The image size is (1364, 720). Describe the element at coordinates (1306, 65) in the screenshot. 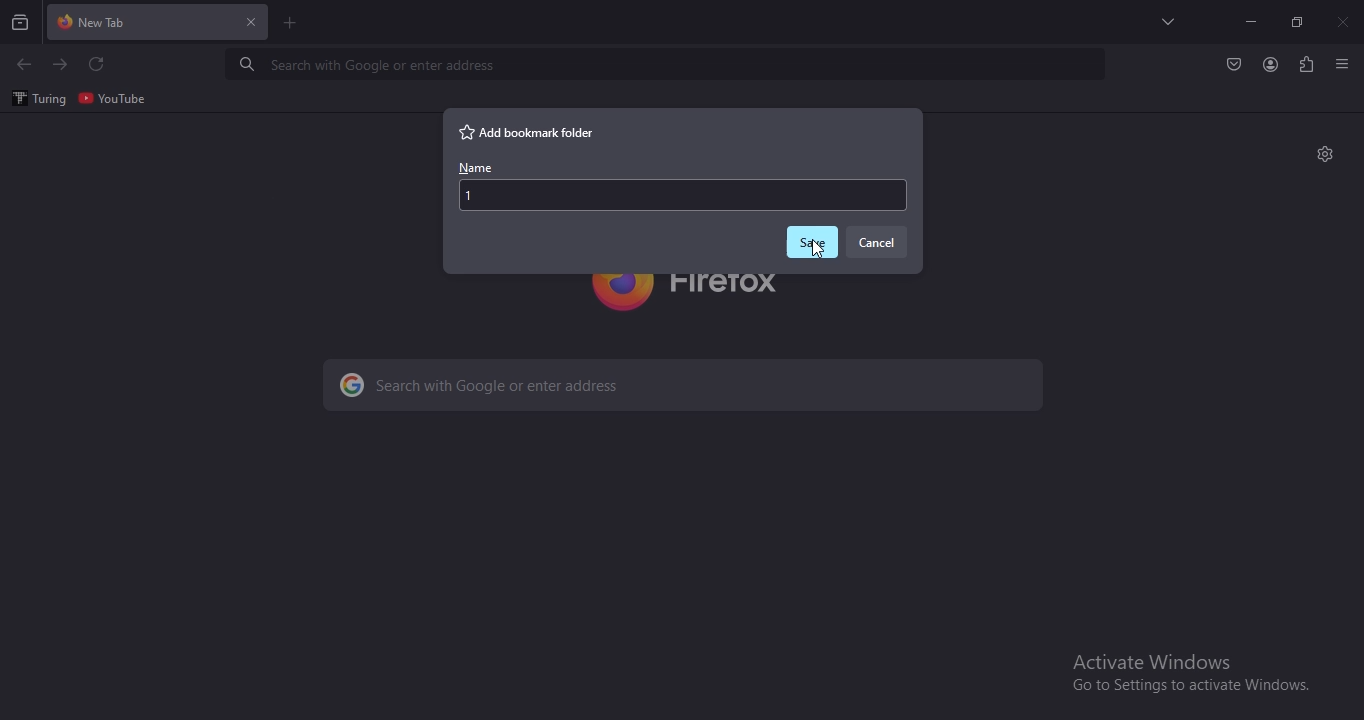

I see `extensions` at that location.